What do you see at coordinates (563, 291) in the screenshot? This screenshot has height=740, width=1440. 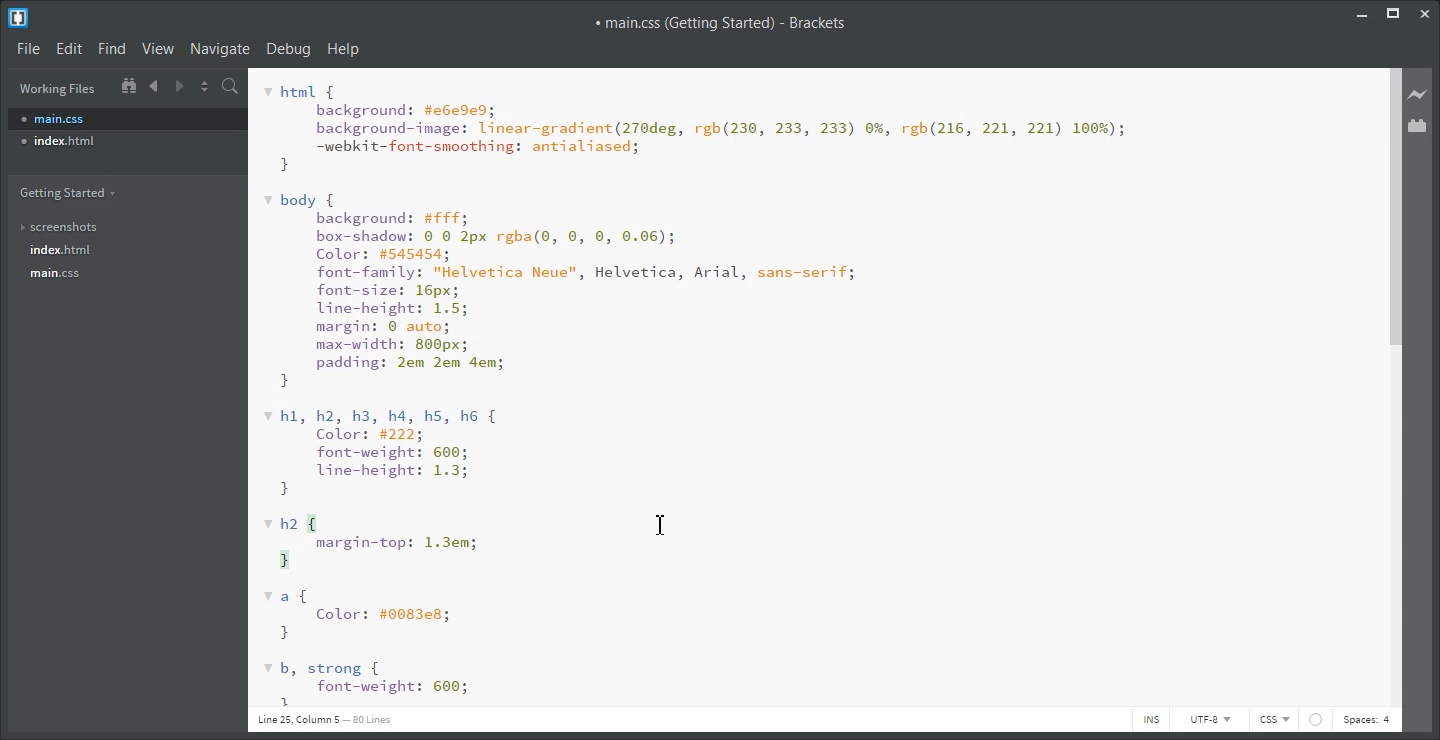 I see `body {
background: #fff;
box-shadow: © © 2px rgba(@, ©, ©, 0.06);
Color: #545454;
font-family: "Helvetica Neue", Helvetica, Arial, sans-serif;
font-size: 16px;
line-height: 1.5;
margin: © auto;
max-width: 808px;
padding: 2em 2em 4em;
}` at bounding box center [563, 291].